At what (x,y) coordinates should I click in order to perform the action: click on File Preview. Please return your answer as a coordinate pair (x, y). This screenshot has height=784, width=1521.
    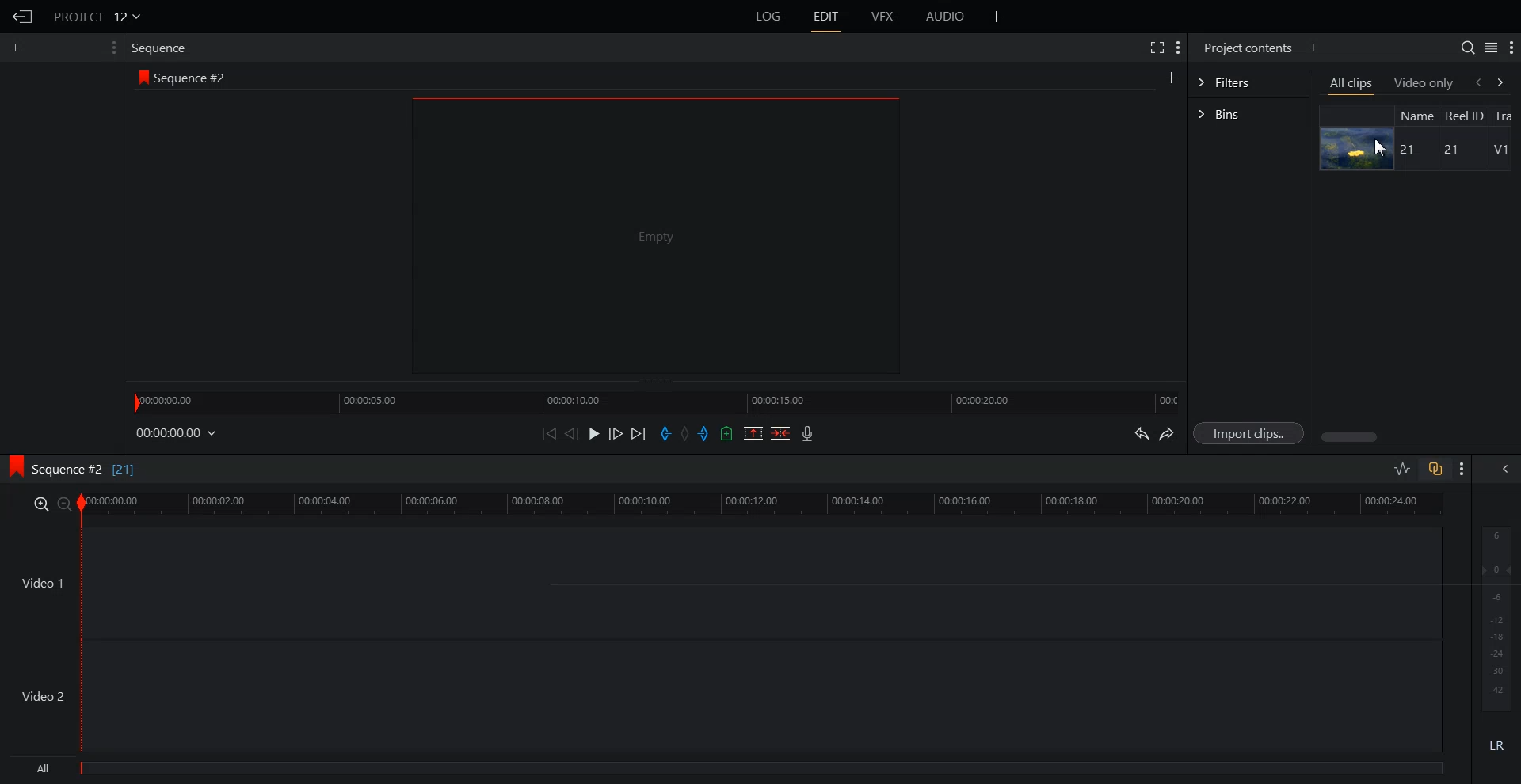
    Looking at the image, I should click on (655, 234).